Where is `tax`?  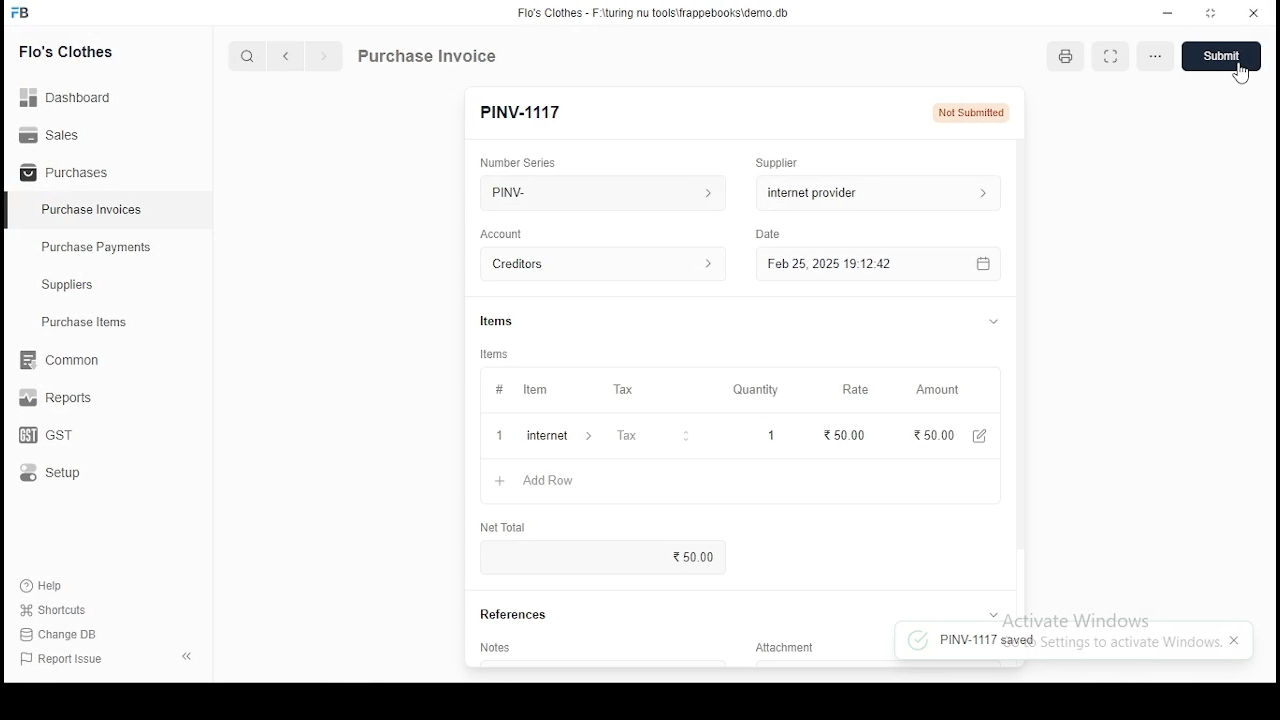
tax is located at coordinates (623, 390).